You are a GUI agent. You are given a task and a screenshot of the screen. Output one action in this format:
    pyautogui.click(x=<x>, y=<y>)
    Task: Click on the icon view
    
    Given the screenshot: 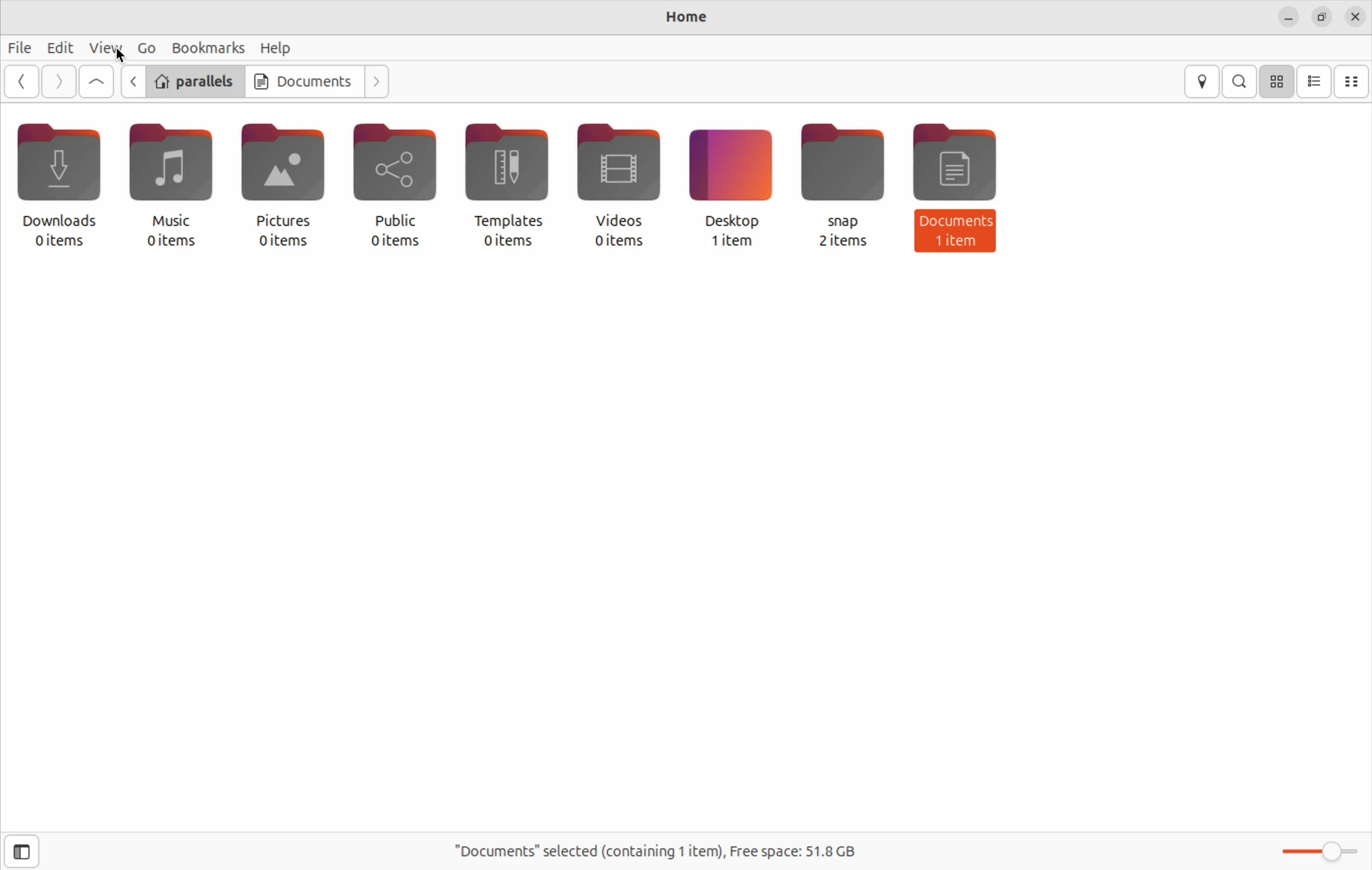 What is the action you would take?
    pyautogui.click(x=1279, y=80)
    